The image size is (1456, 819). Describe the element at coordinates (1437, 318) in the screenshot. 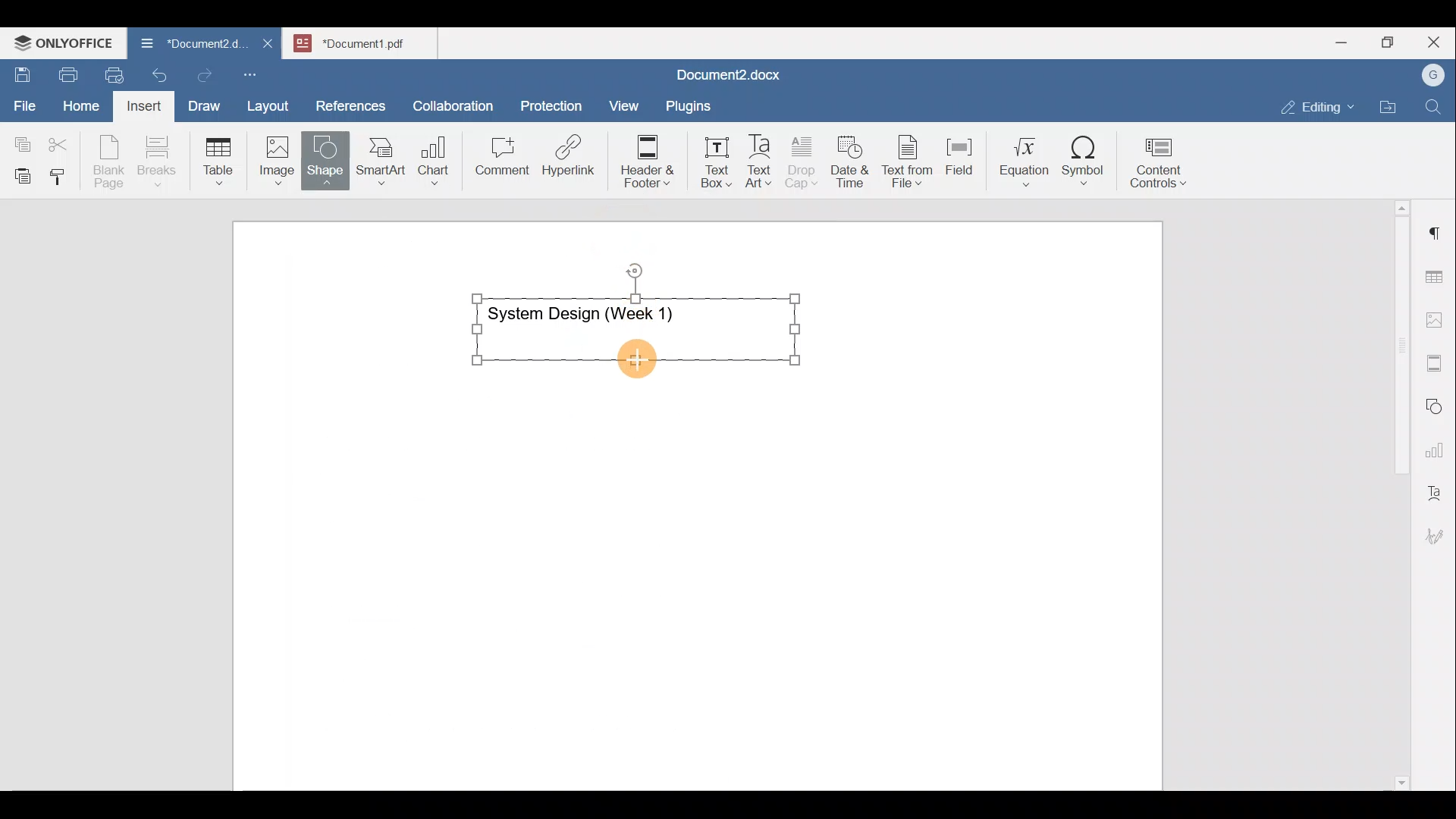

I see `Image settings` at that location.